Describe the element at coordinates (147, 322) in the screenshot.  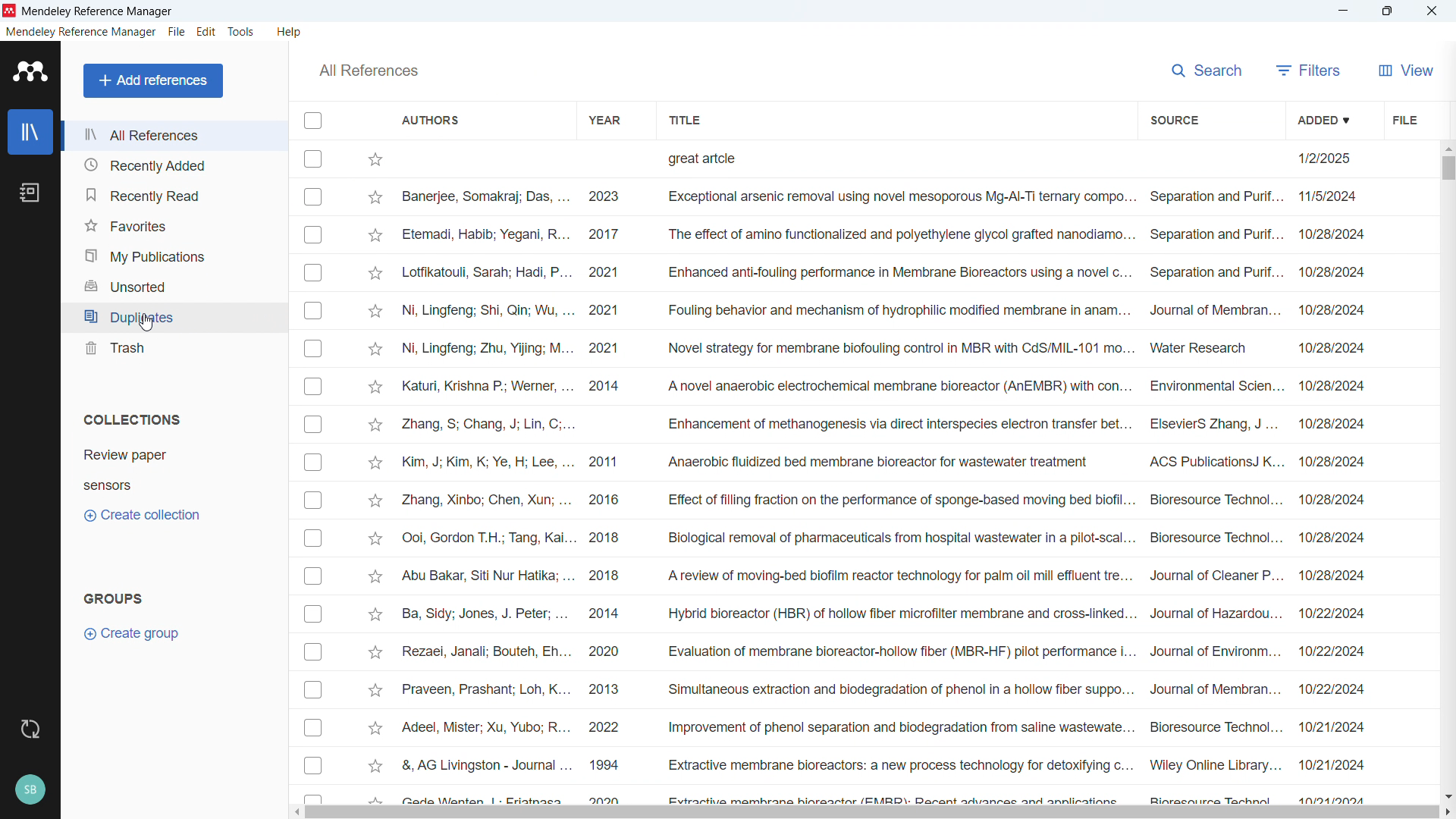
I see `cursor ` at that location.